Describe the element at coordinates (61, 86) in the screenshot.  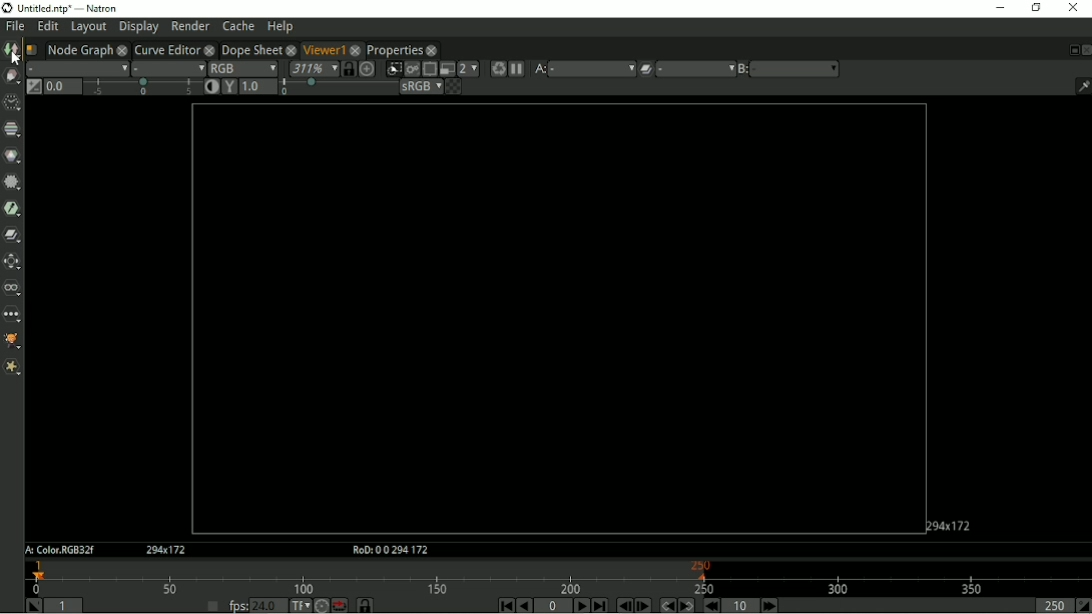
I see `Gain` at that location.